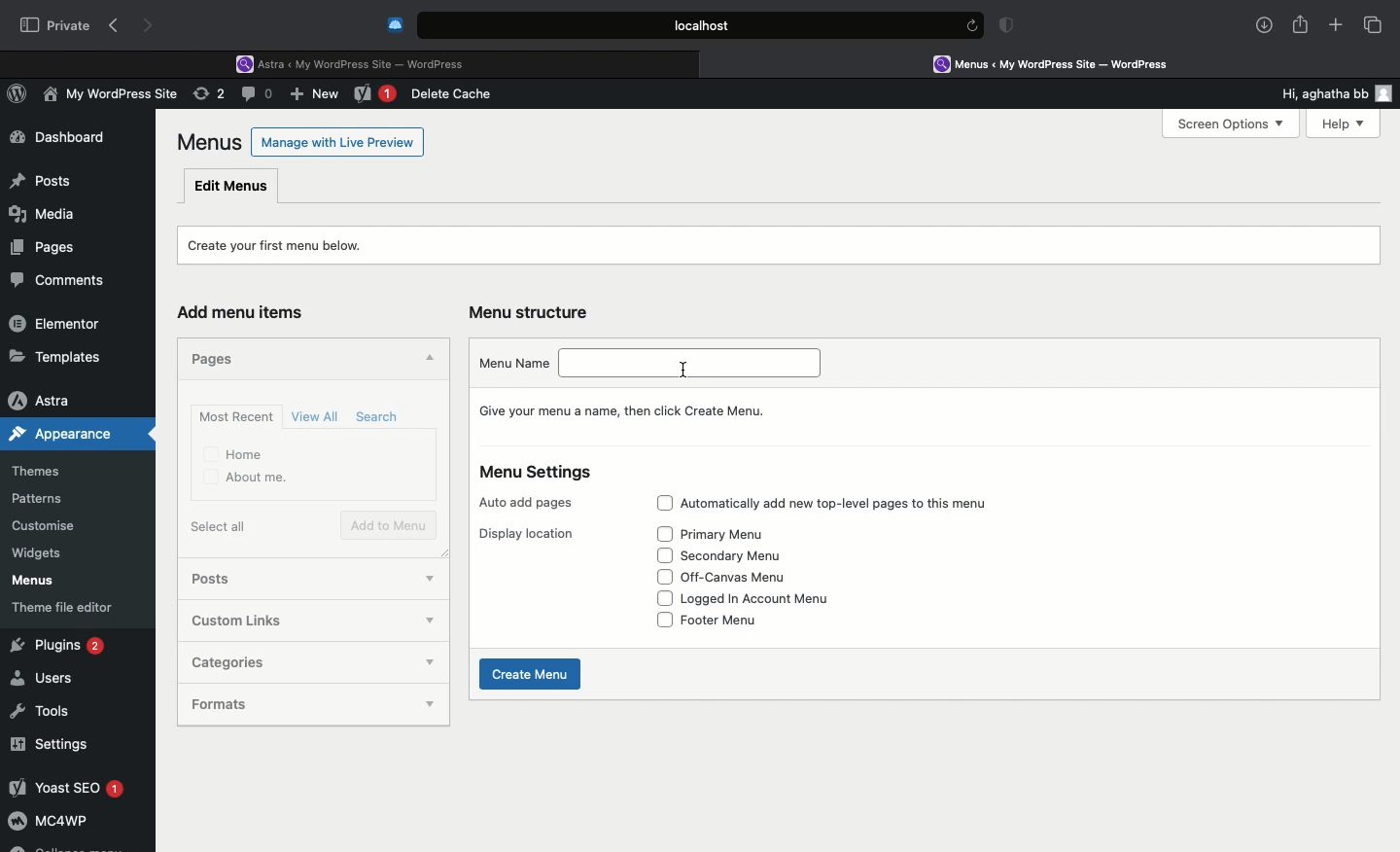 This screenshot has height=852, width=1400. Describe the element at coordinates (427, 360) in the screenshot. I see `Hide` at that location.